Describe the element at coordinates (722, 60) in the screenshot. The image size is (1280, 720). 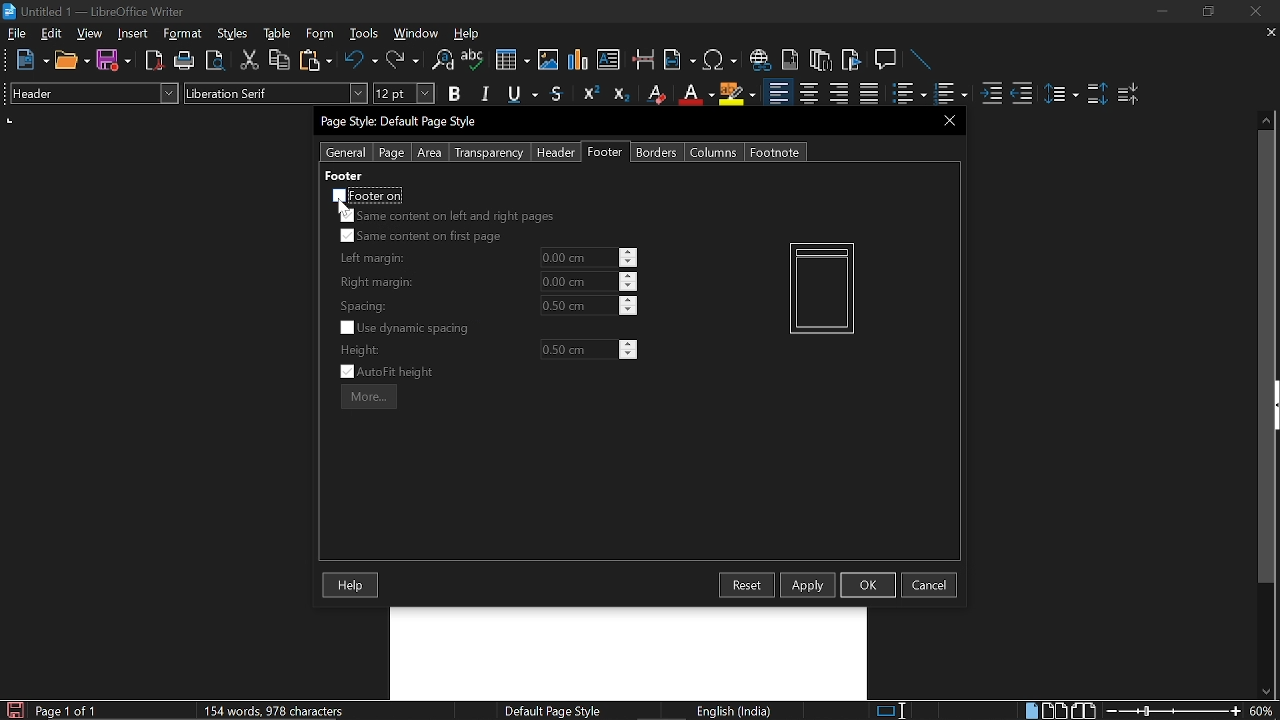
I see `Insert symbol` at that location.